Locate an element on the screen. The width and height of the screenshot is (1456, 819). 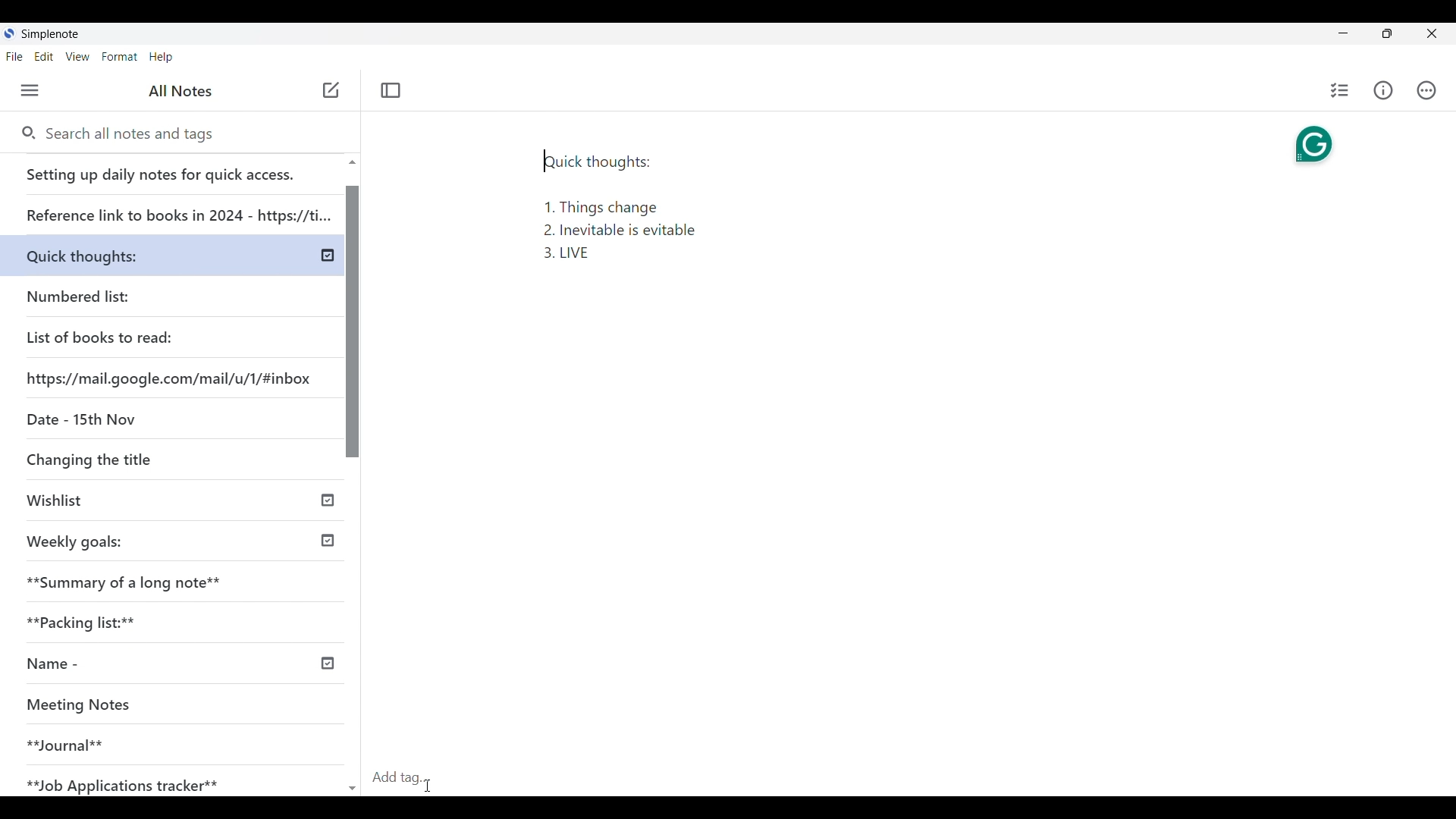
All notes is located at coordinates (180, 91).